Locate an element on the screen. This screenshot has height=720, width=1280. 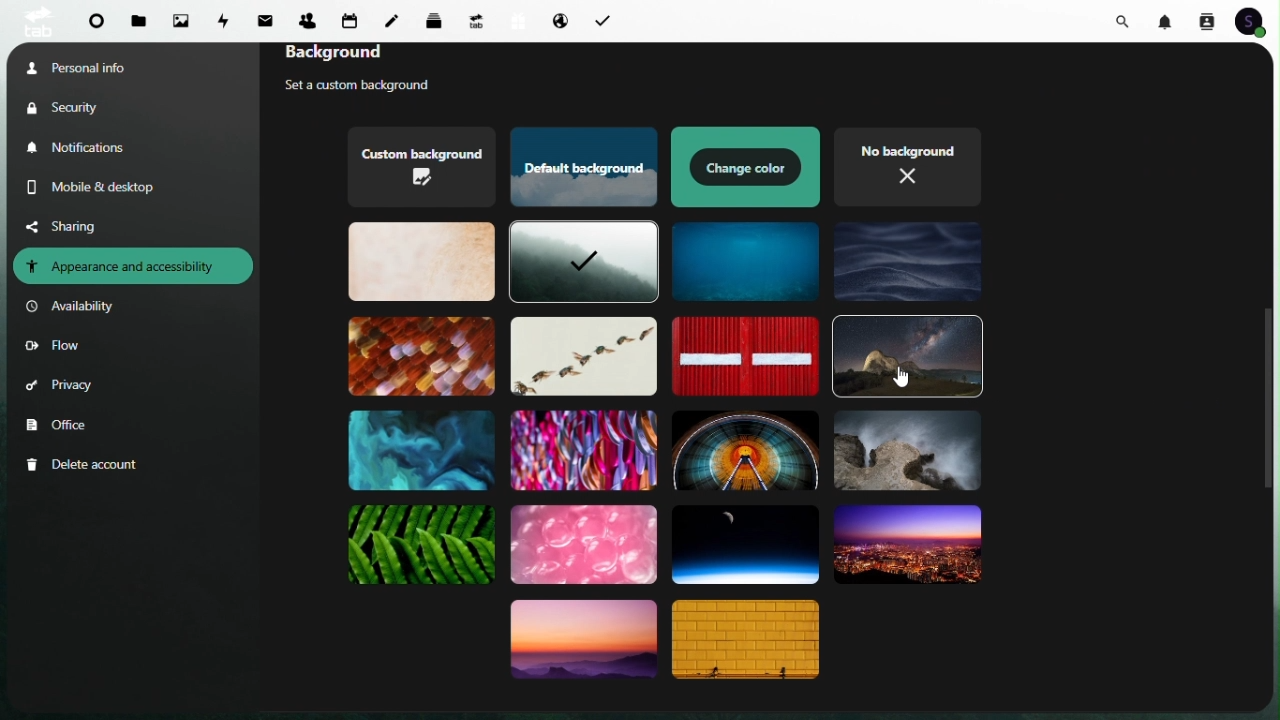
mail is located at coordinates (269, 18).